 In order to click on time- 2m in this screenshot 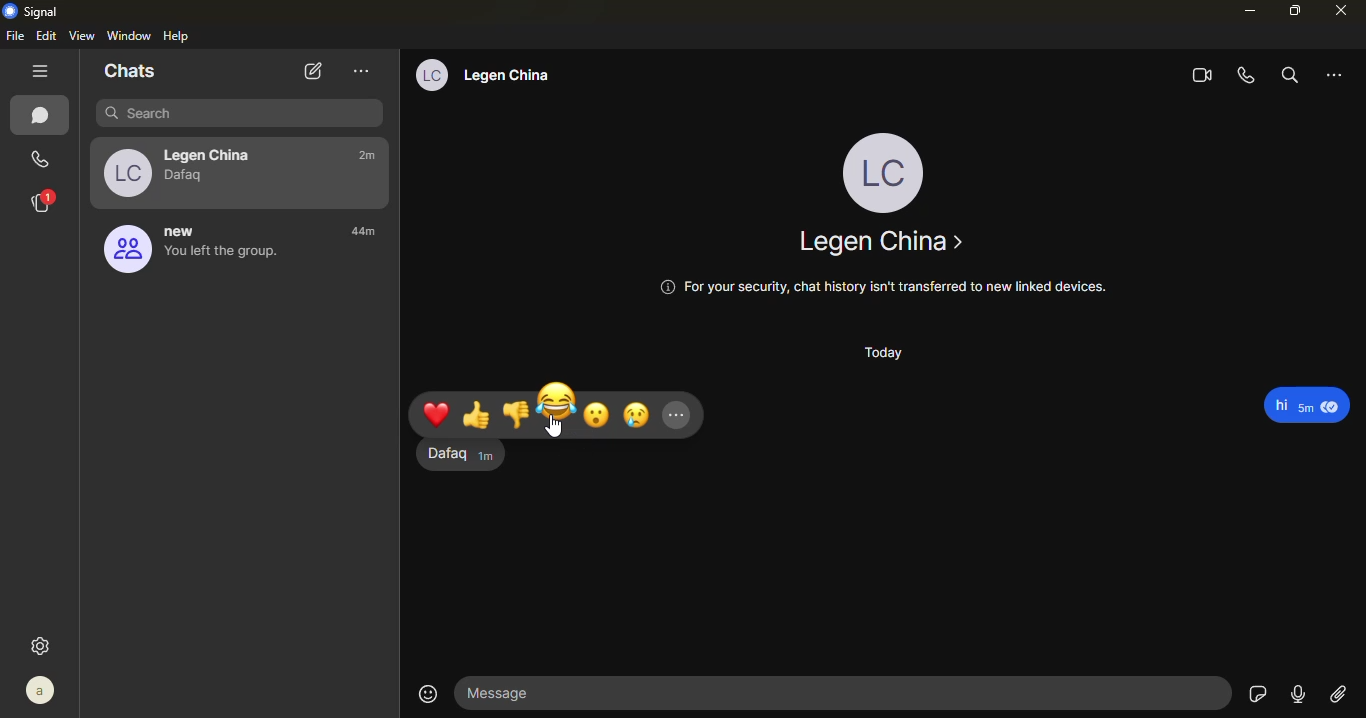, I will do `click(368, 157)`.